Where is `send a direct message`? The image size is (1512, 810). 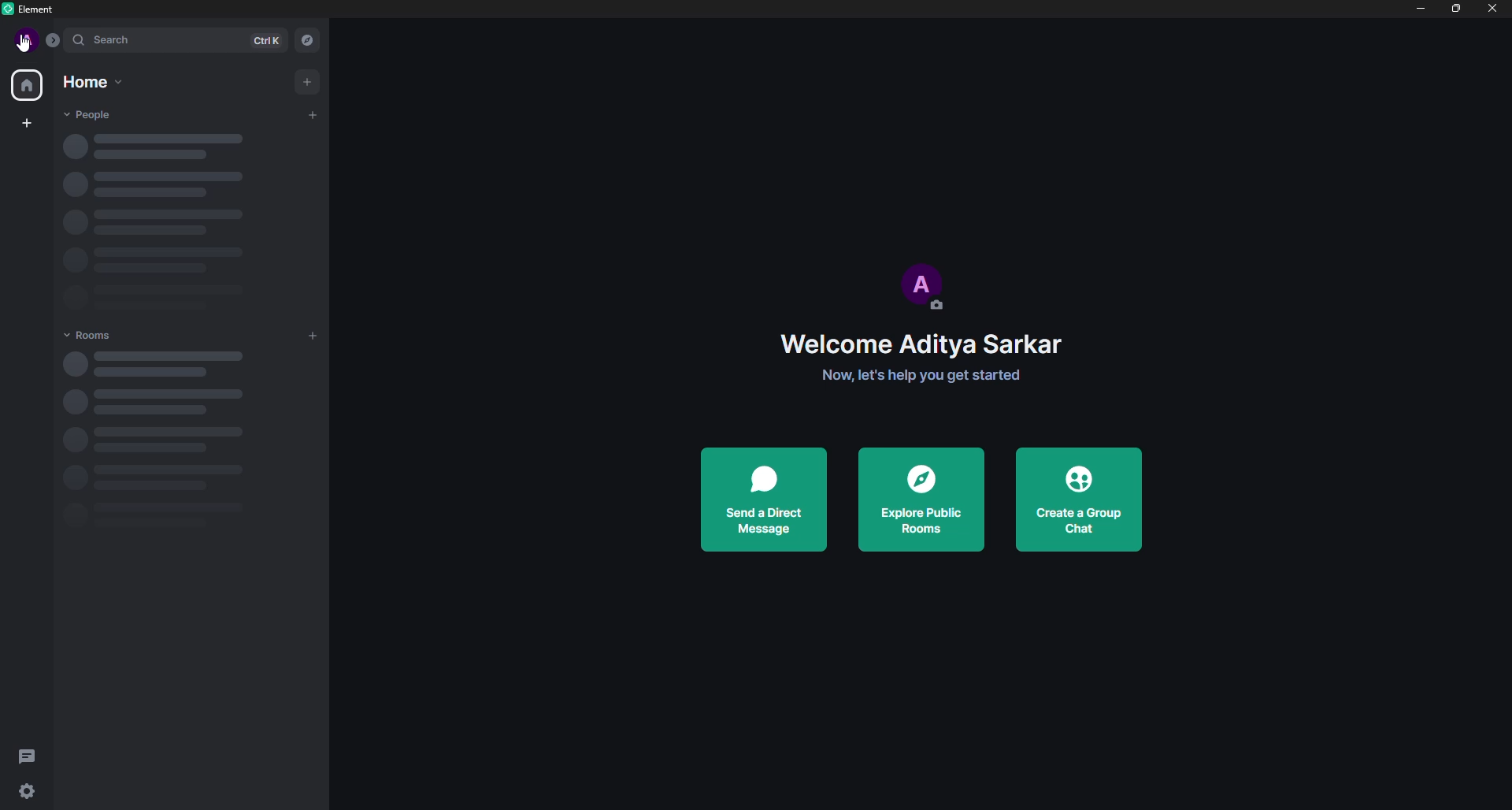
send a direct message is located at coordinates (764, 502).